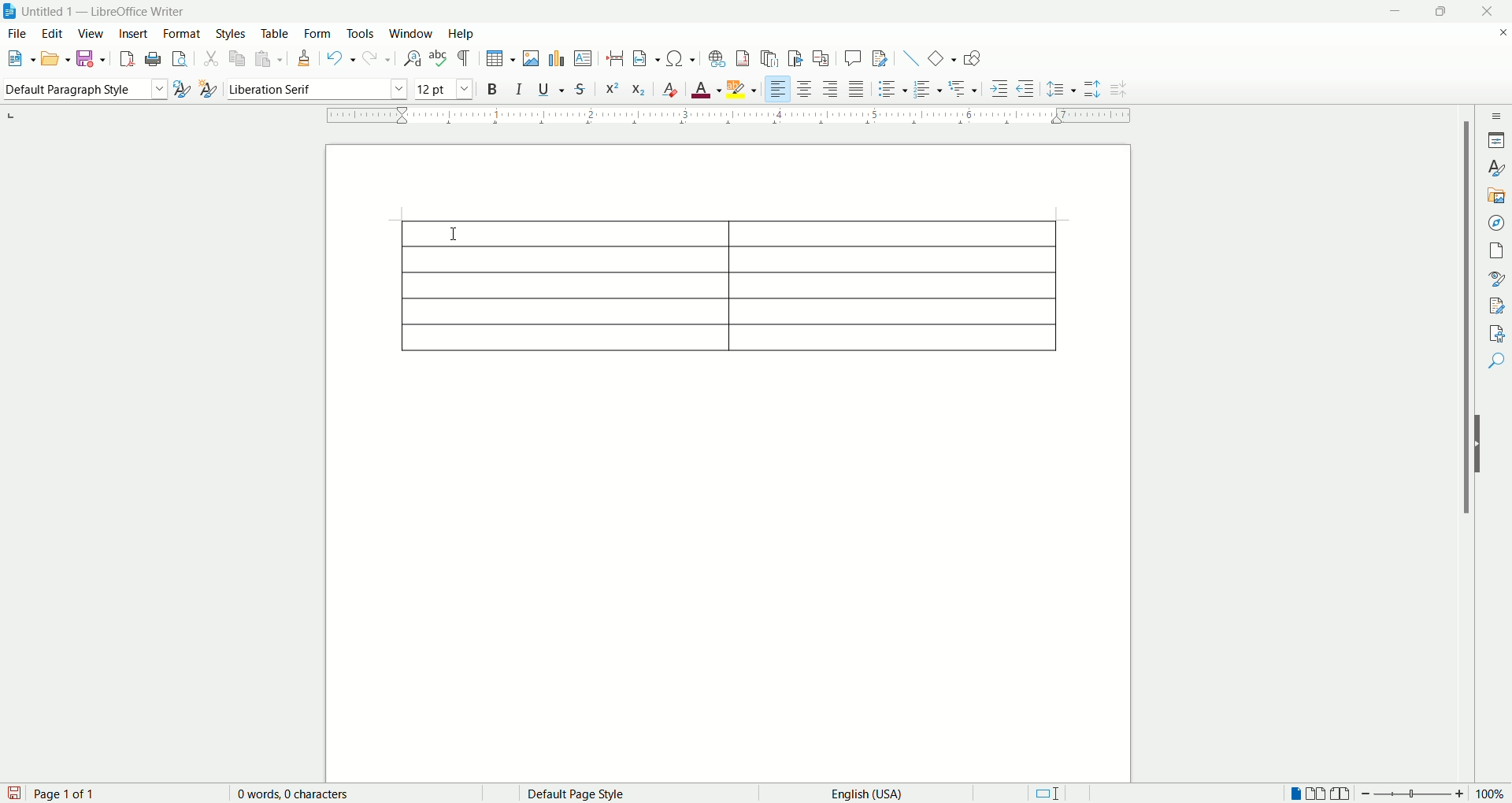  What do you see at coordinates (495, 88) in the screenshot?
I see `bold` at bounding box center [495, 88].